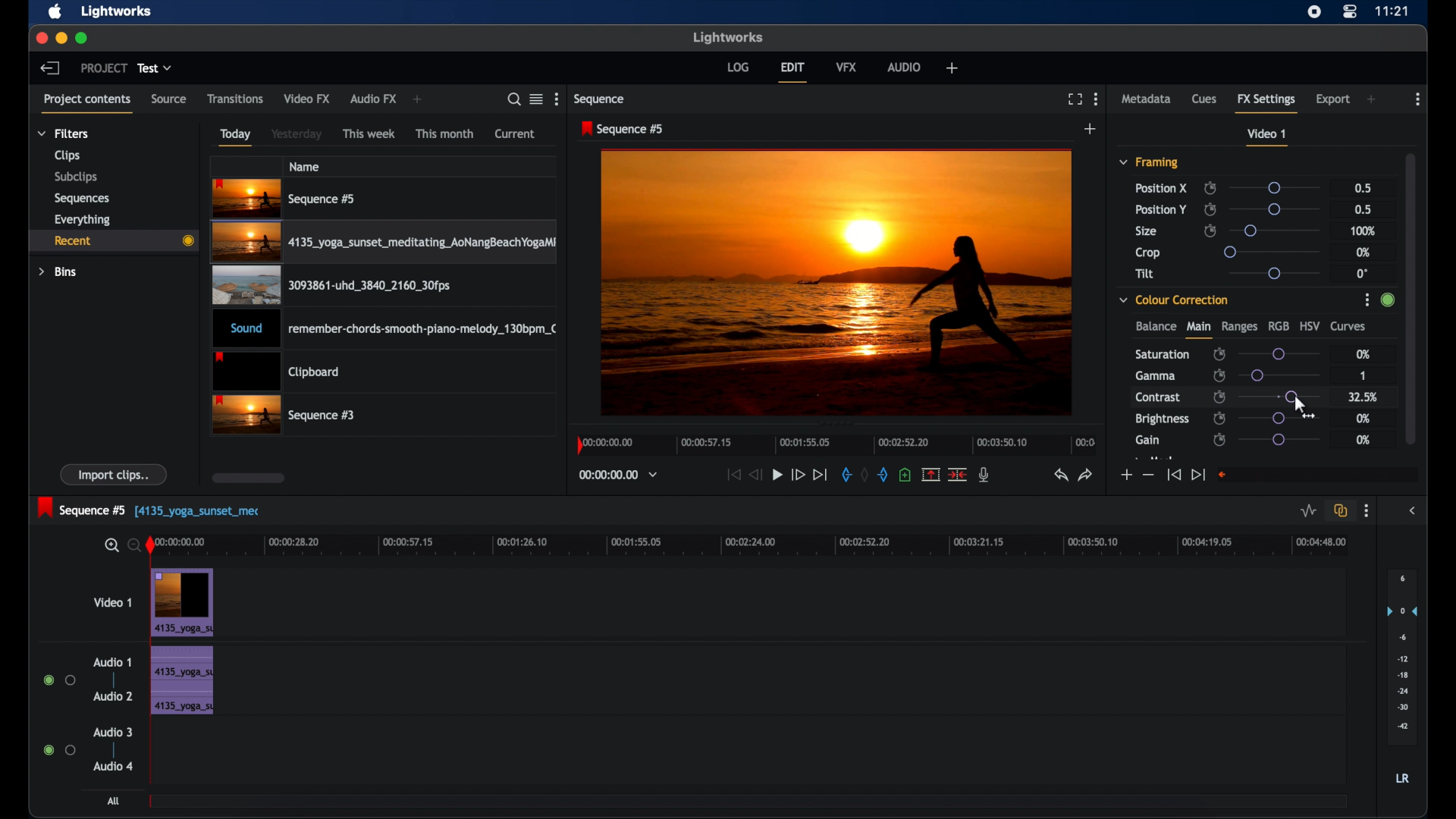 This screenshot has height=819, width=1456. Describe the element at coordinates (1276, 209) in the screenshot. I see `slider` at that location.